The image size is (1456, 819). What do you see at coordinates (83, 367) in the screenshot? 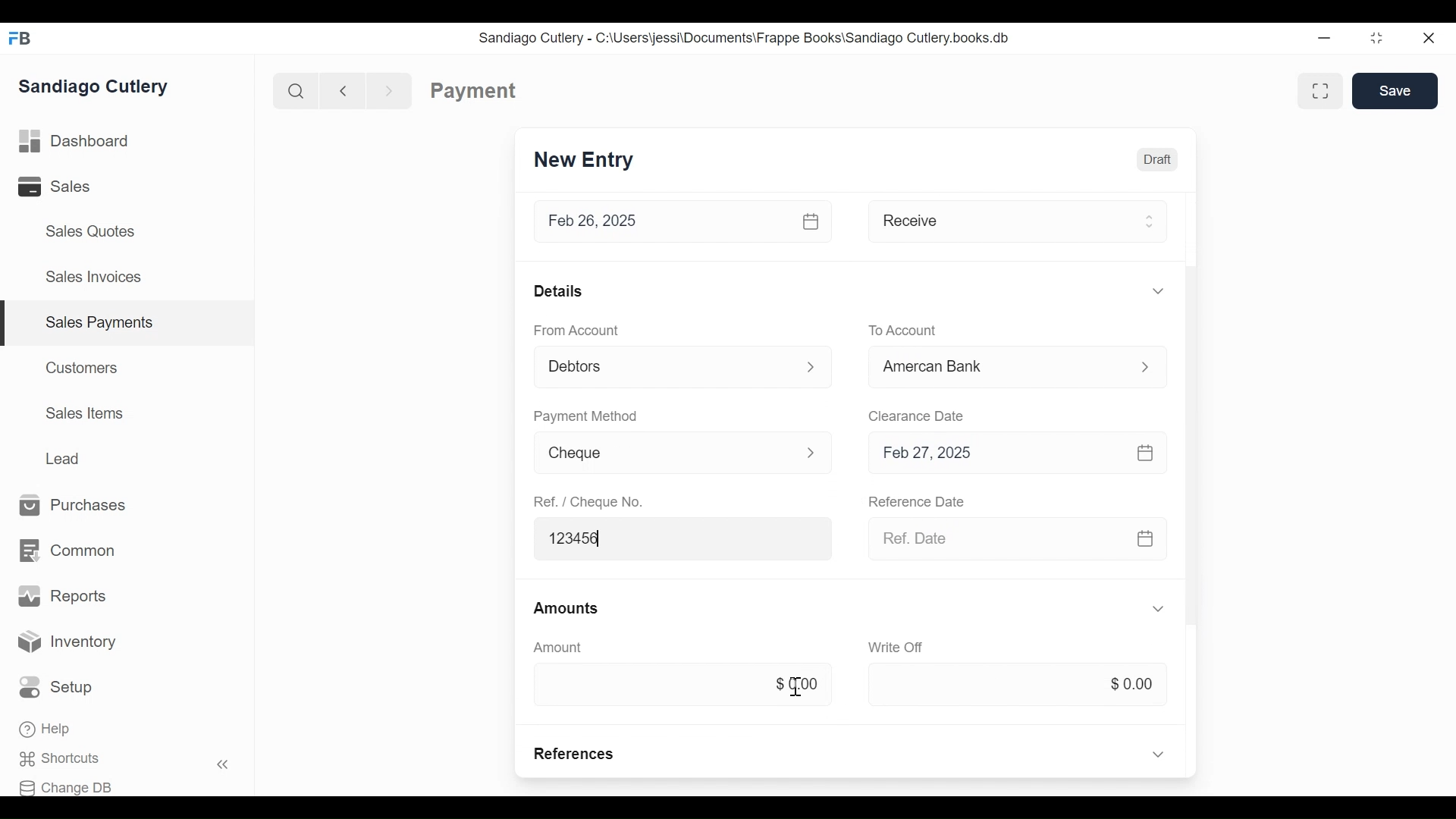
I see `Customers` at bounding box center [83, 367].